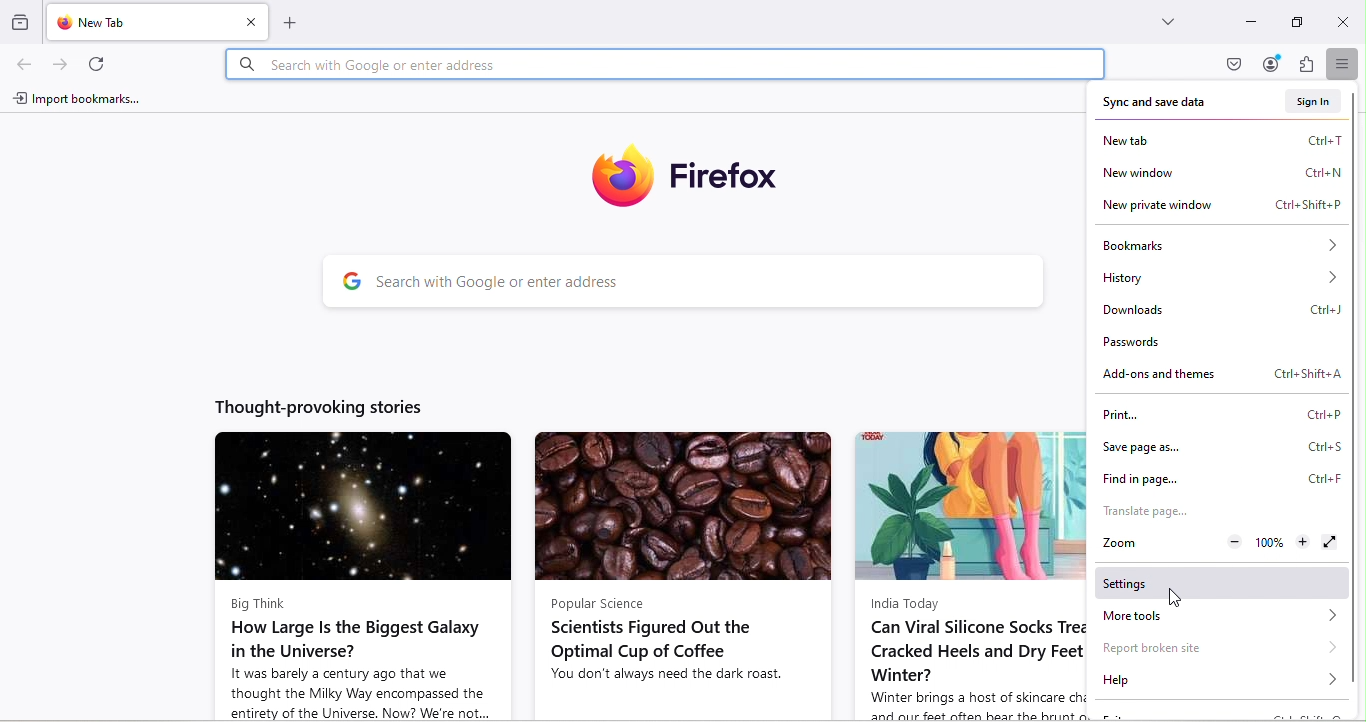 This screenshot has width=1366, height=722. What do you see at coordinates (1173, 599) in the screenshot?
I see `Cursor` at bounding box center [1173, 599].